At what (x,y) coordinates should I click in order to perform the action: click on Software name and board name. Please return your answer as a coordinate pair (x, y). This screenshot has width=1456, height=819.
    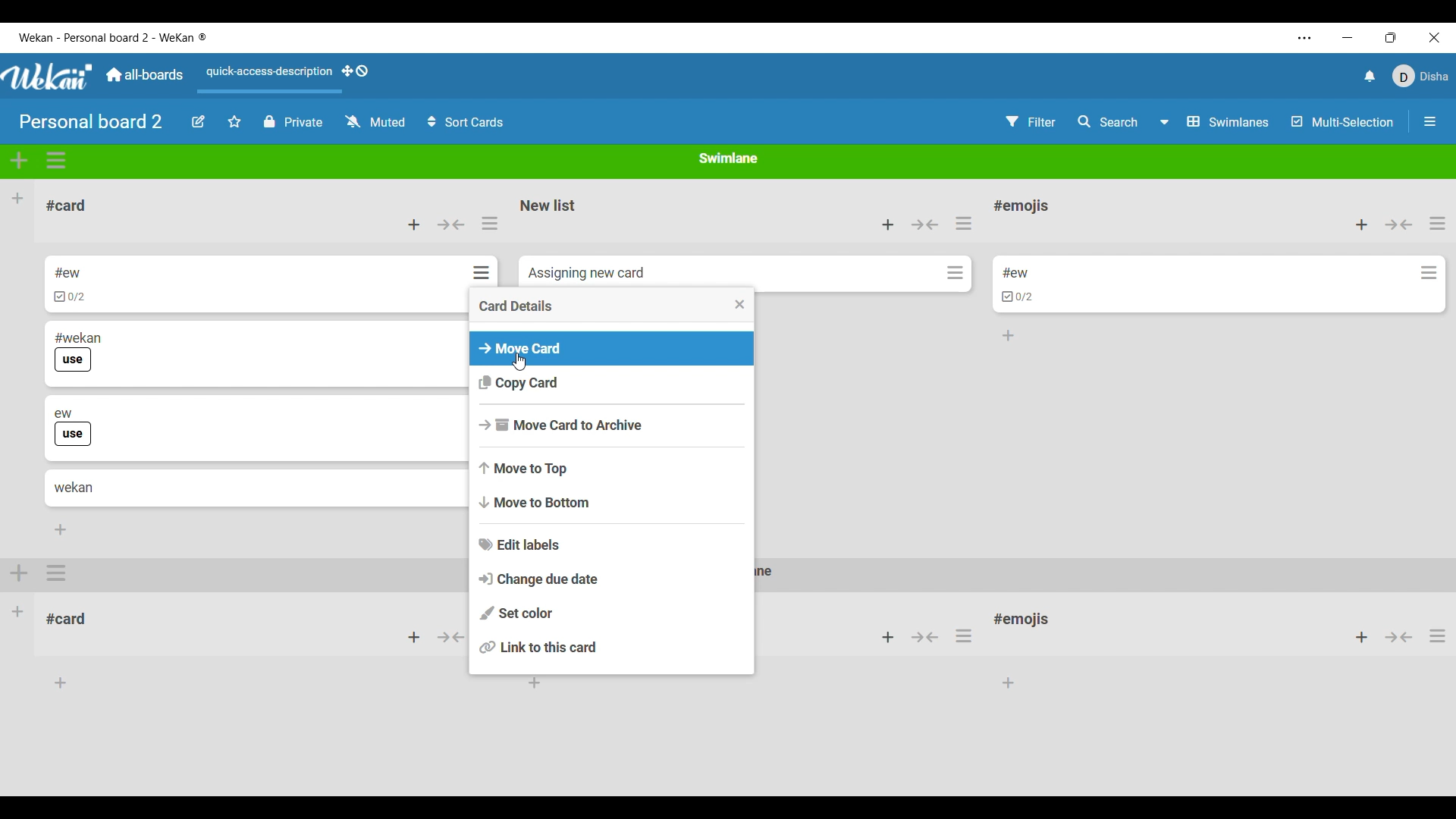
    Looking at the image, I should click on (112, 37).